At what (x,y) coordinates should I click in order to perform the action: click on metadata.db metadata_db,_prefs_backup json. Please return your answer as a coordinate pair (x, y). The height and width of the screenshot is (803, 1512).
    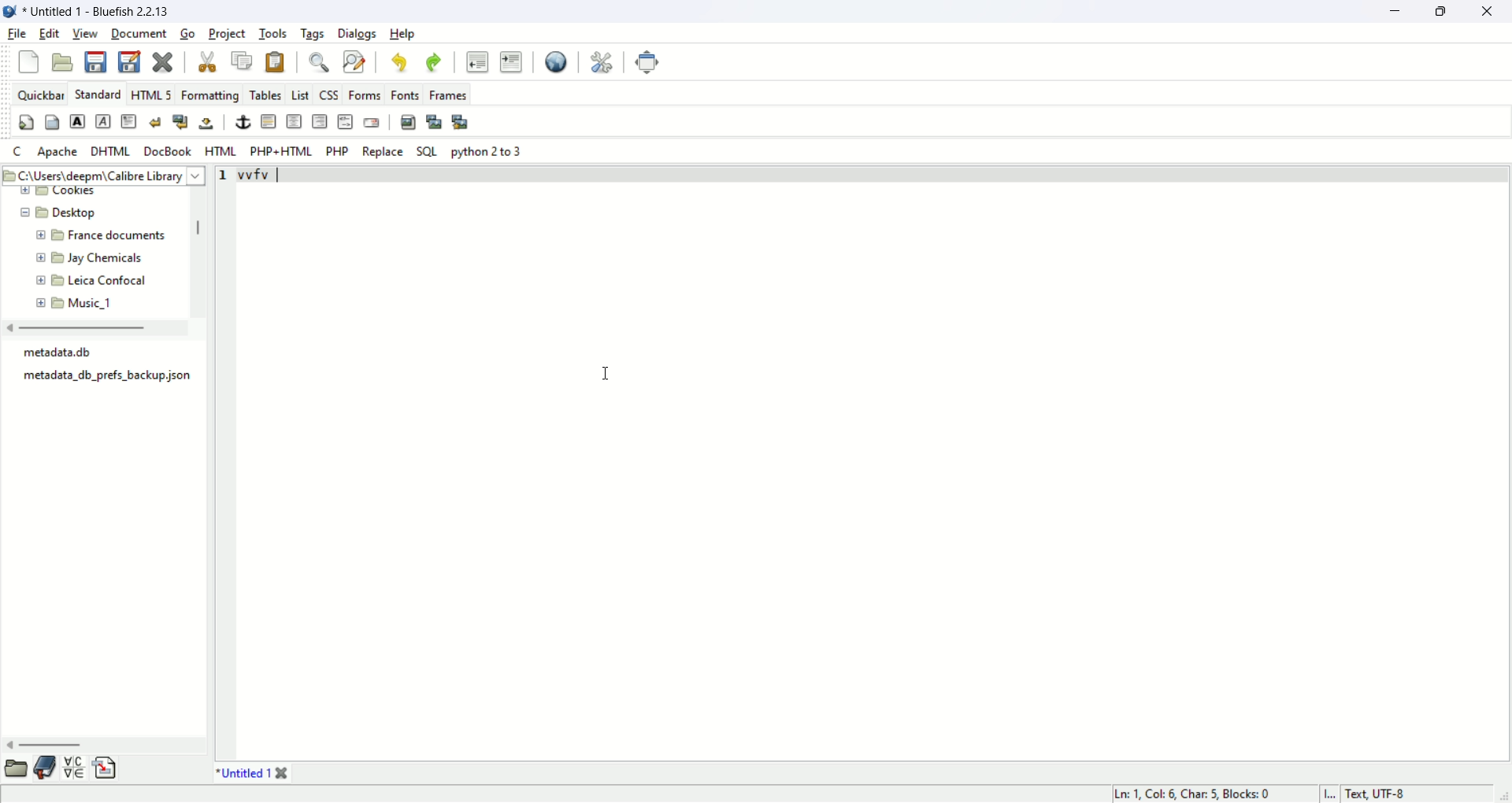
    Looking at the image, I should click on (105, 368).